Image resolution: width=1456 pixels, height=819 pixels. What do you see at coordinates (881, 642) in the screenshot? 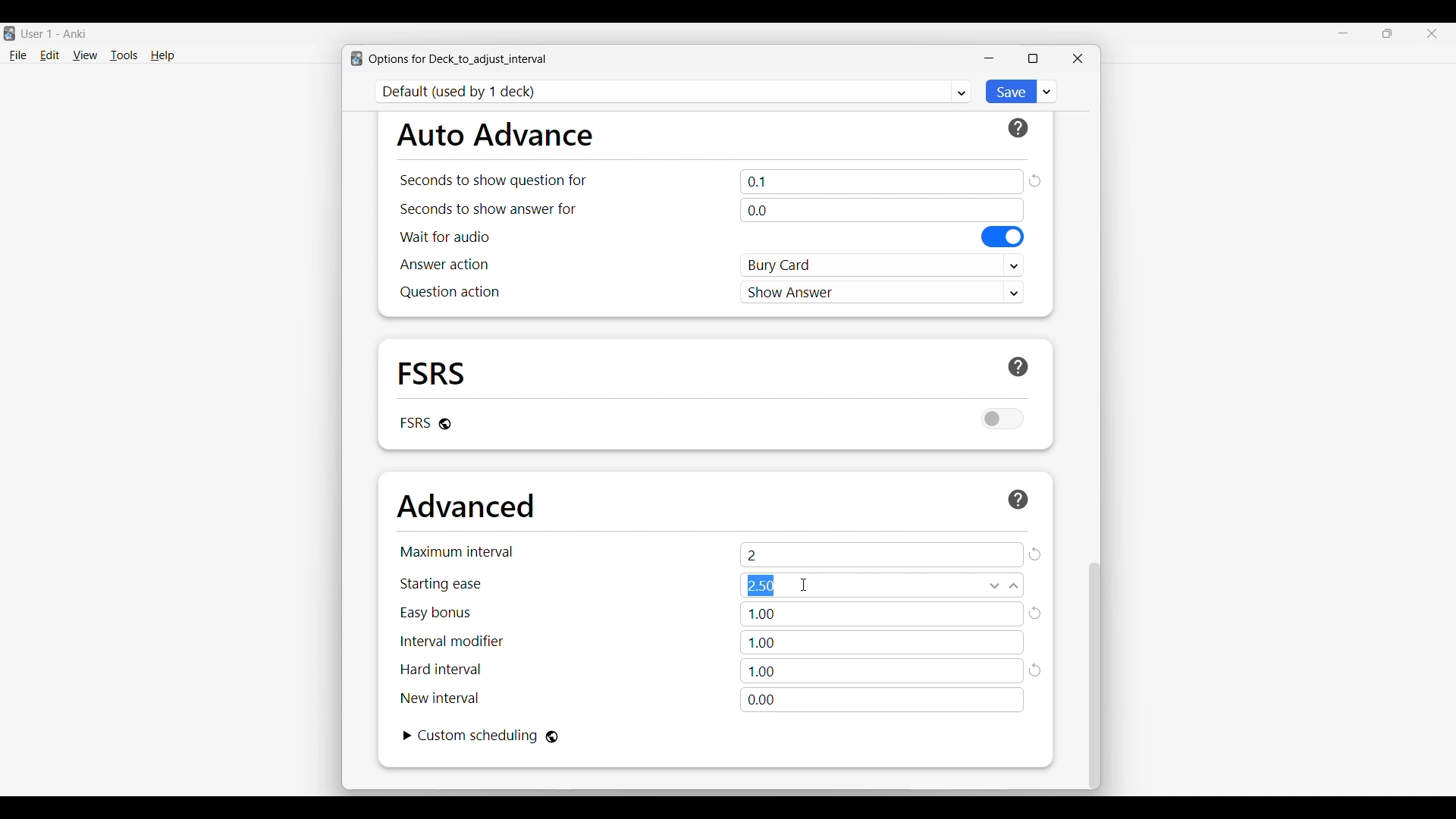
I see `1.00` at bounding box center [881, 642].